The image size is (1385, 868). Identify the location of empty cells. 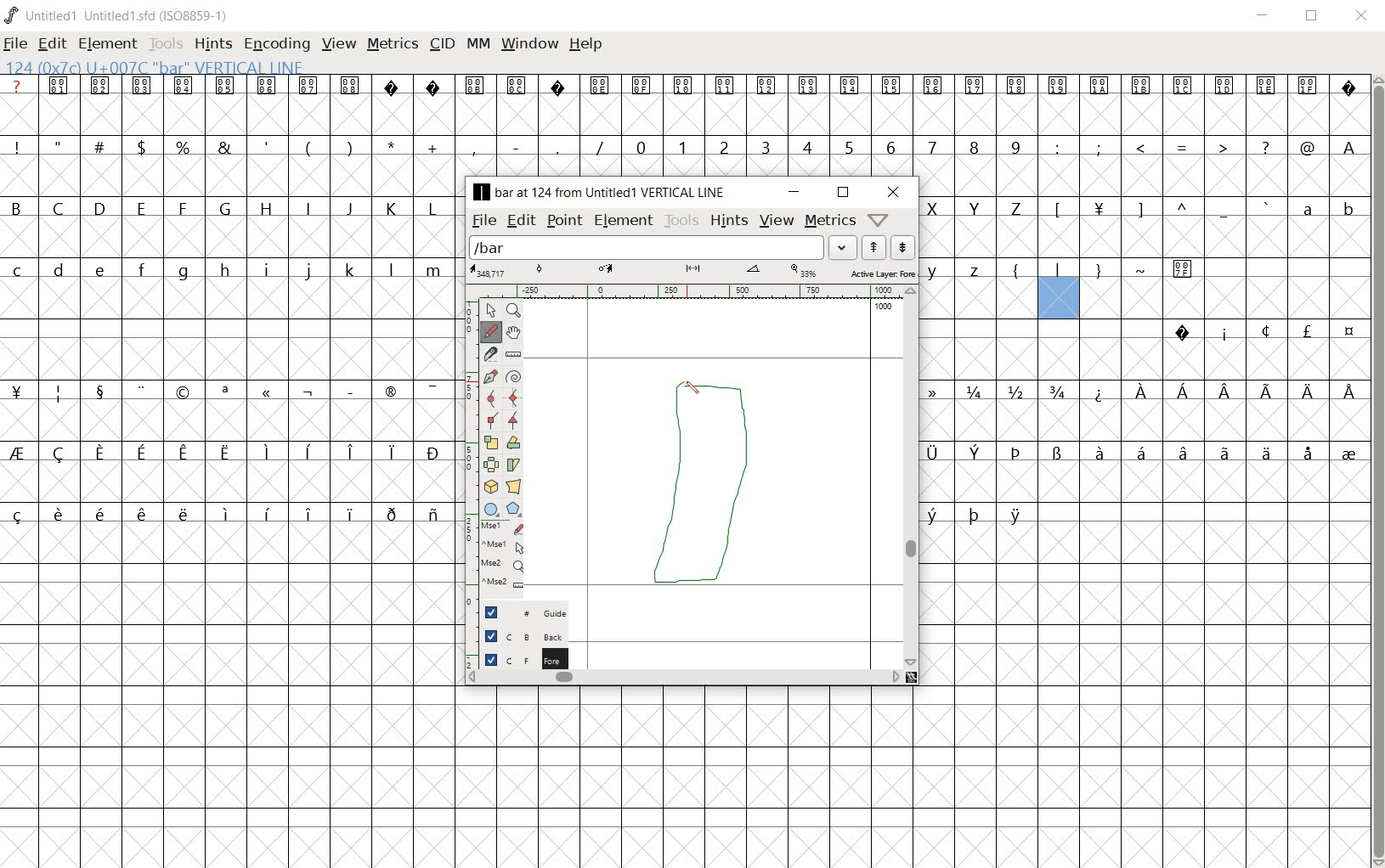
(1143, 480).